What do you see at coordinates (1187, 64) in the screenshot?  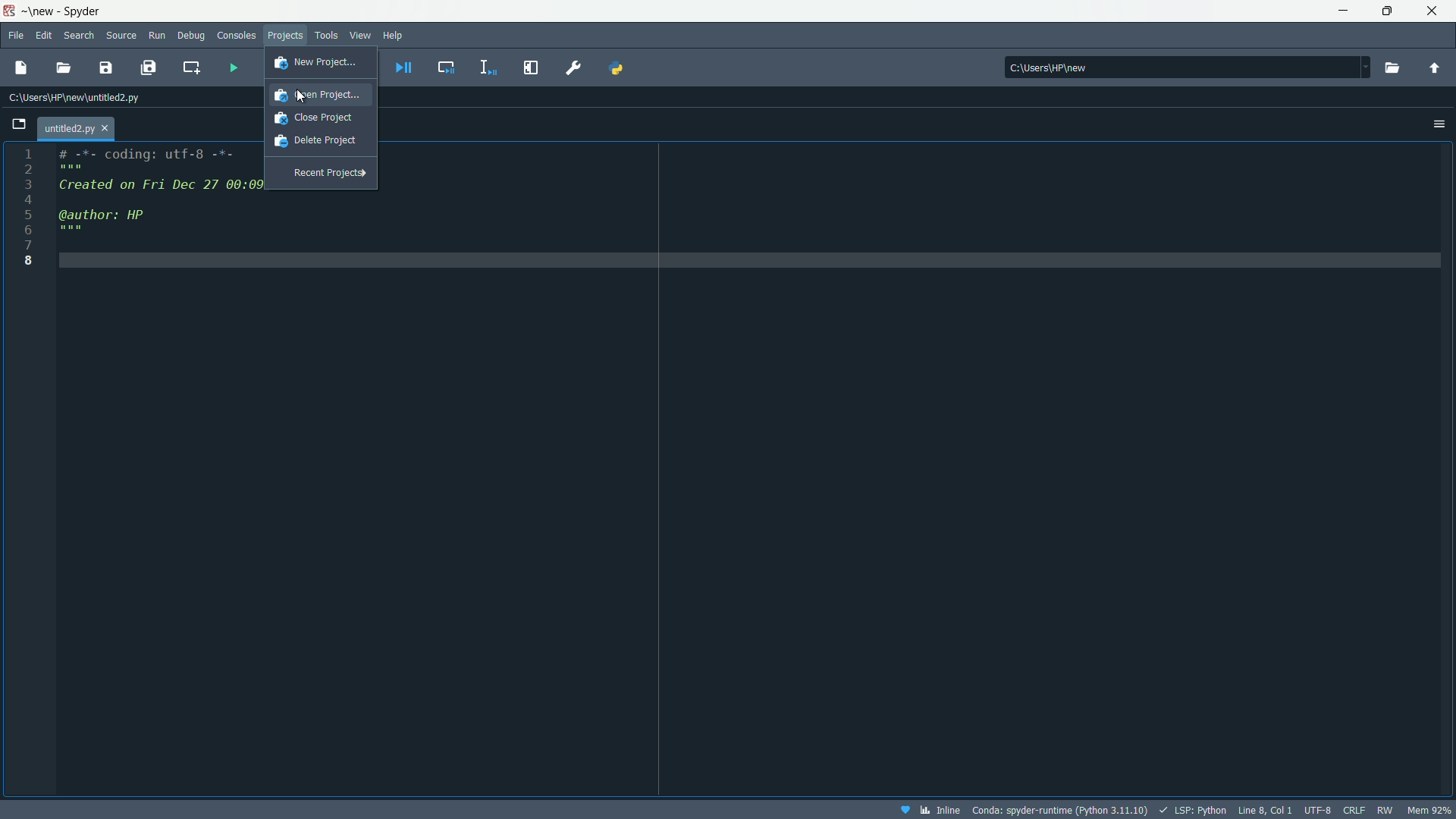 I see `file directory` at bounding box center [1187, 64].